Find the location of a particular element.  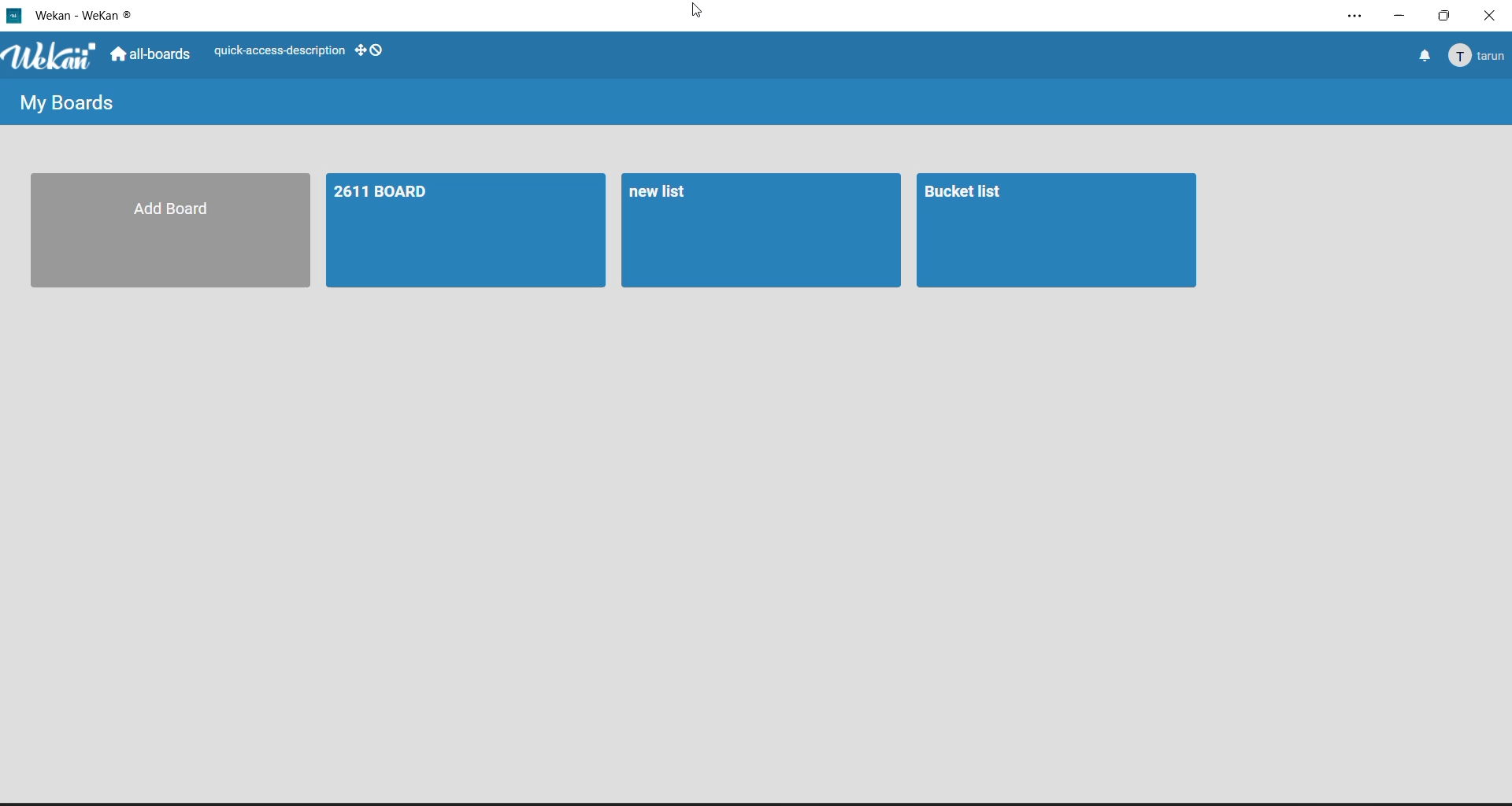

notifications is located at coordinates (1423, 54).